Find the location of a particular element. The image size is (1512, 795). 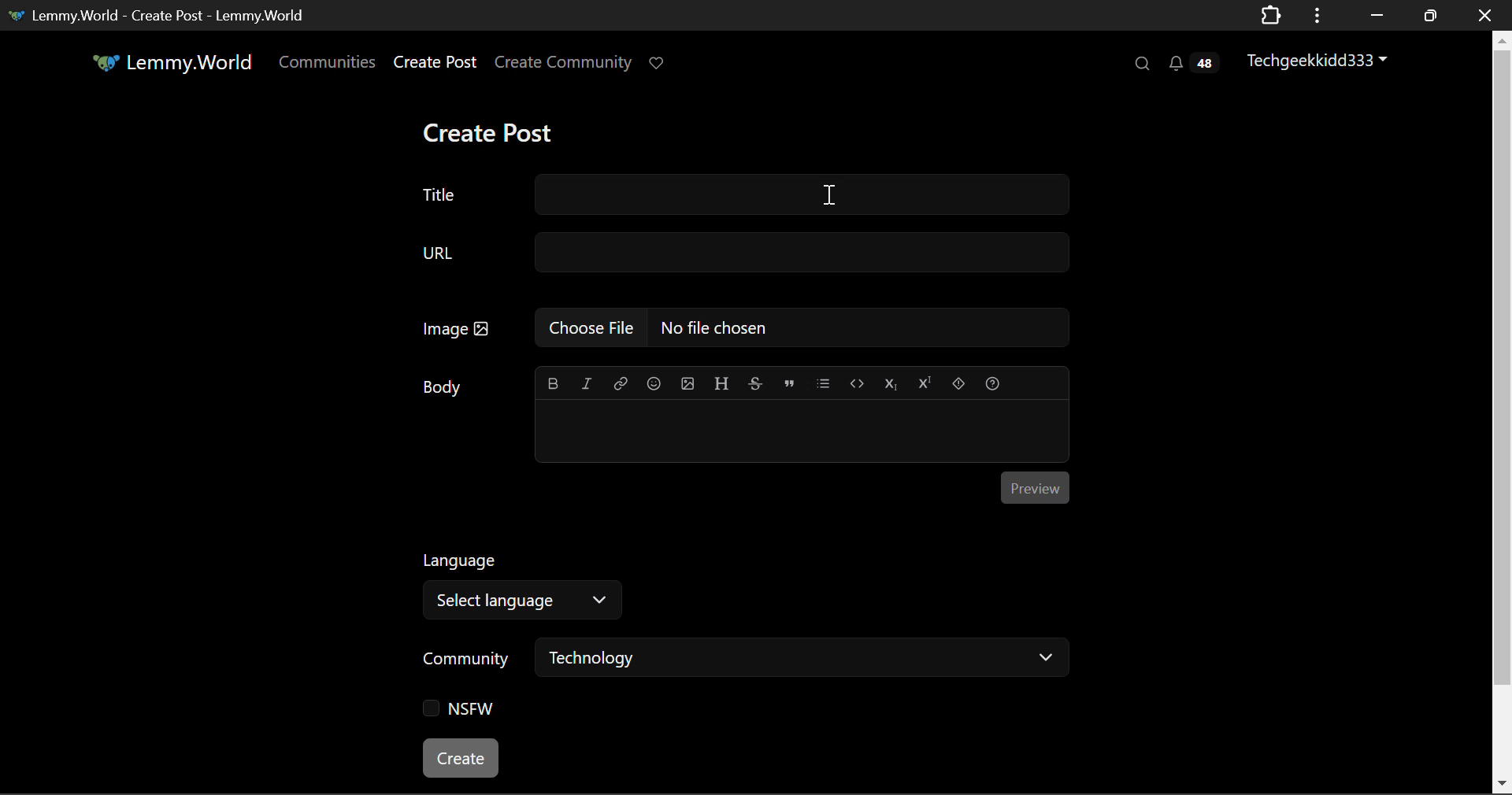

Lemmy.World is located at coordinates (175, 65).